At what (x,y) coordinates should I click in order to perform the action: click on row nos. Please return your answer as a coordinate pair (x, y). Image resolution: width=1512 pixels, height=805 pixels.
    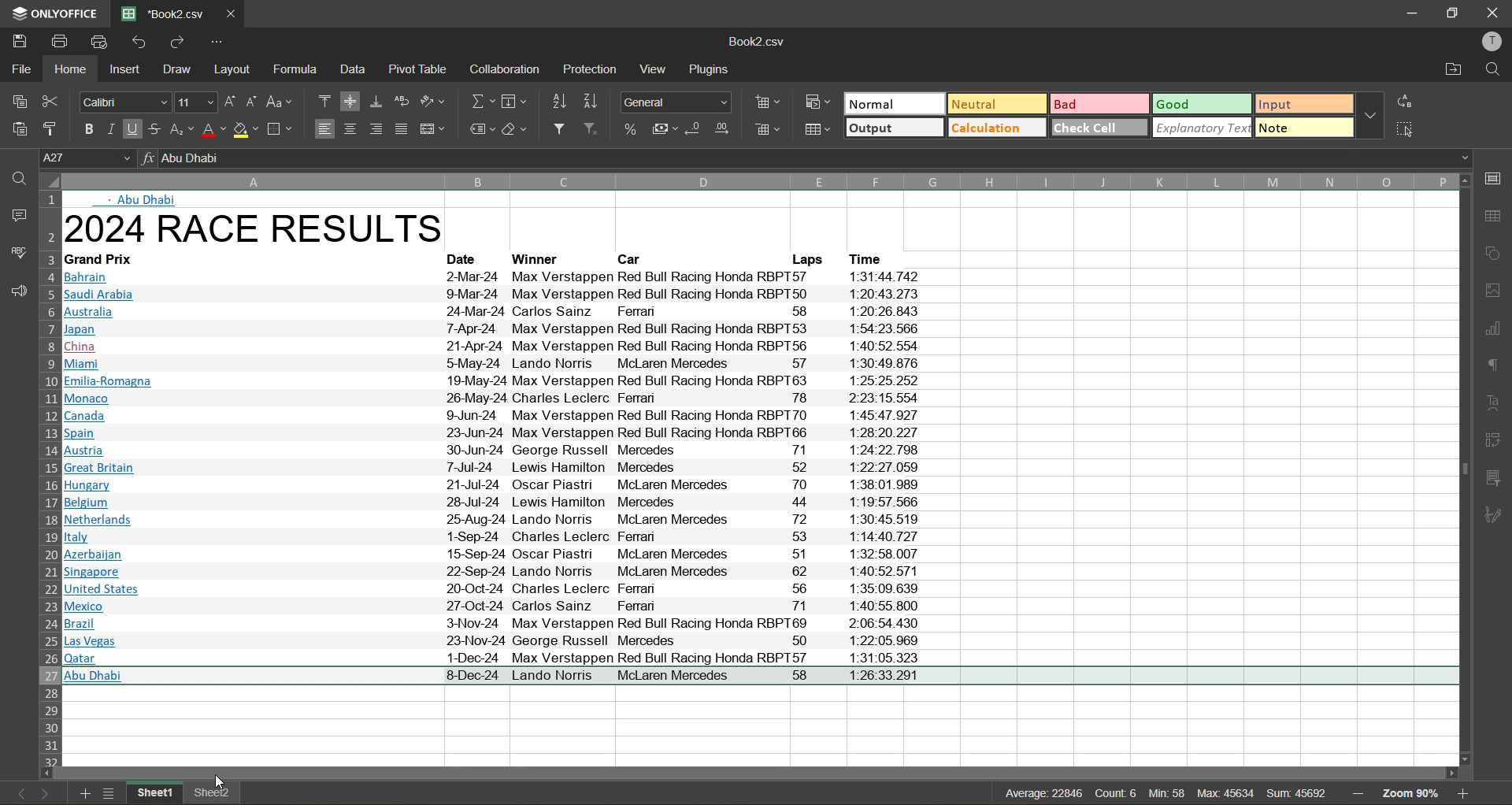
    Looking at the image, I should click on (48, 477).